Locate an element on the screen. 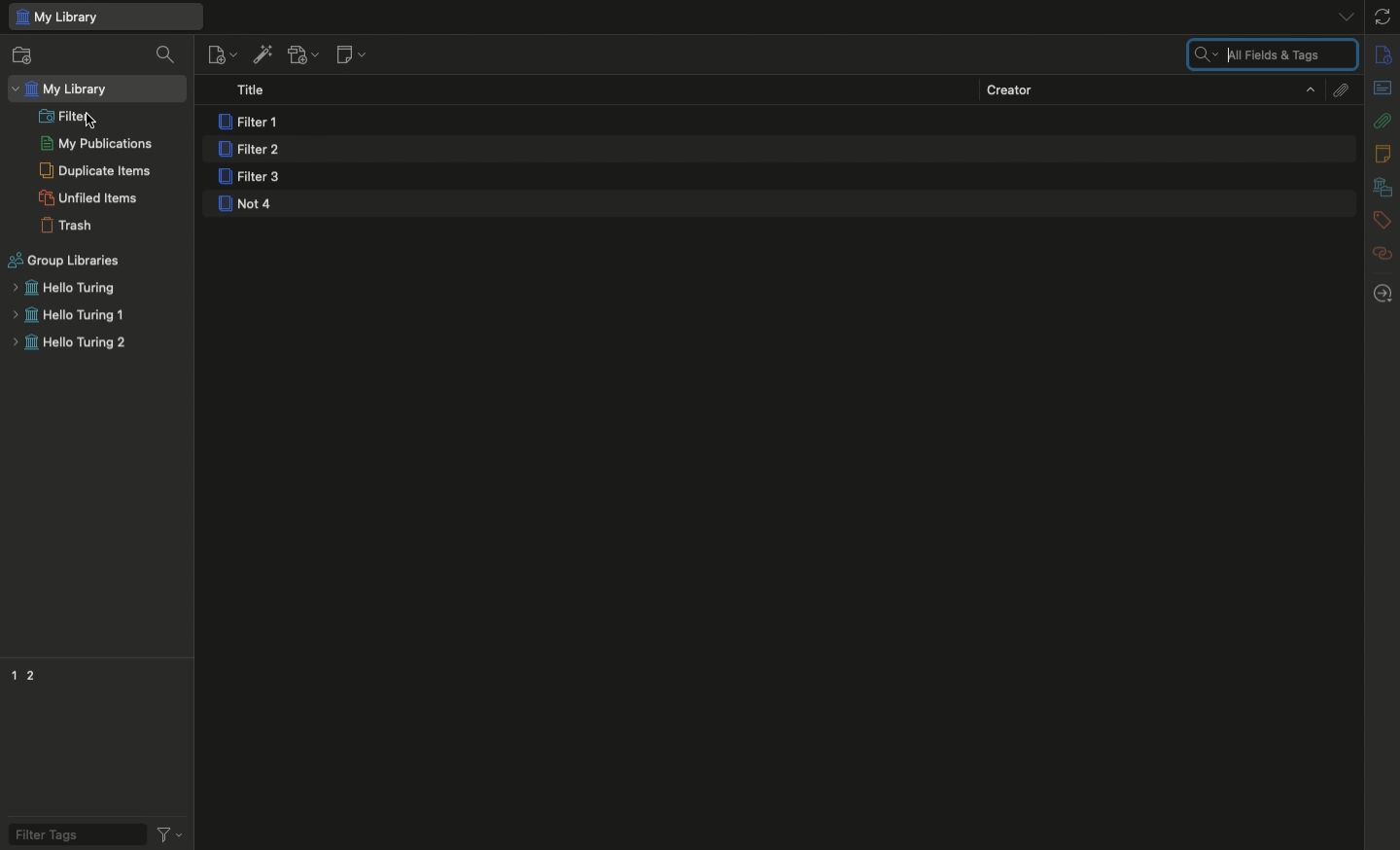  Filter 1 is located at coordinates (252, 123).